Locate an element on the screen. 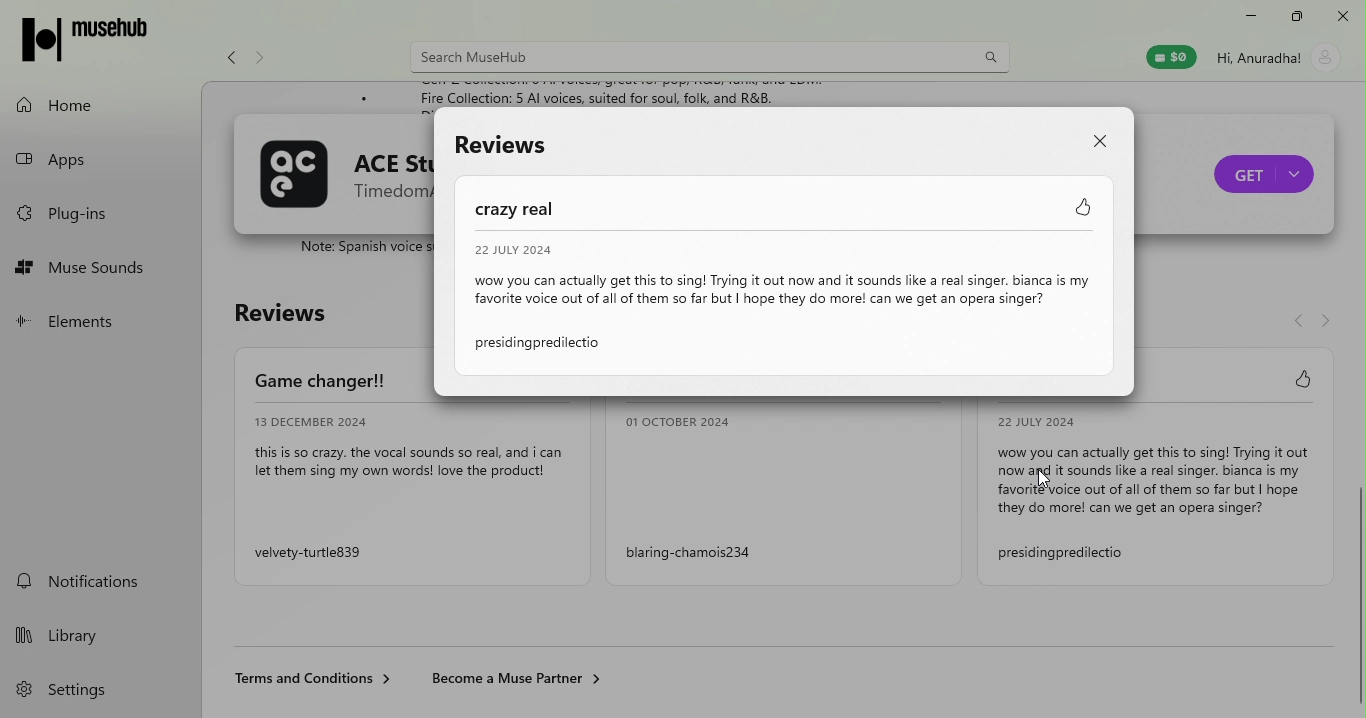 The image size is (1366, 718). review is located at coordinates (414, 498).